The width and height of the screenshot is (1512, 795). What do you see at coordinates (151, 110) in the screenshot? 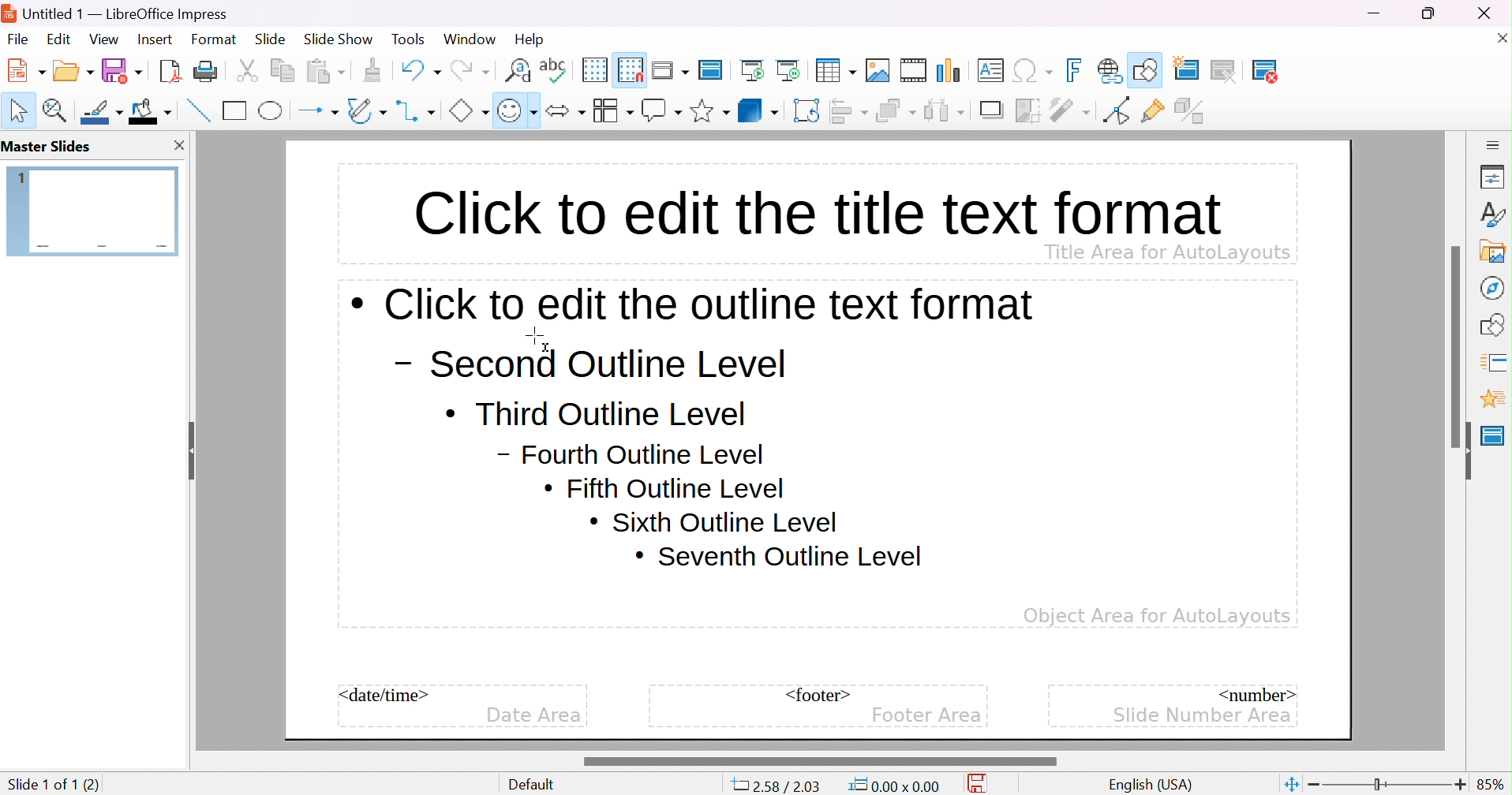
I see `fill color` at bounding box center [151, 110].